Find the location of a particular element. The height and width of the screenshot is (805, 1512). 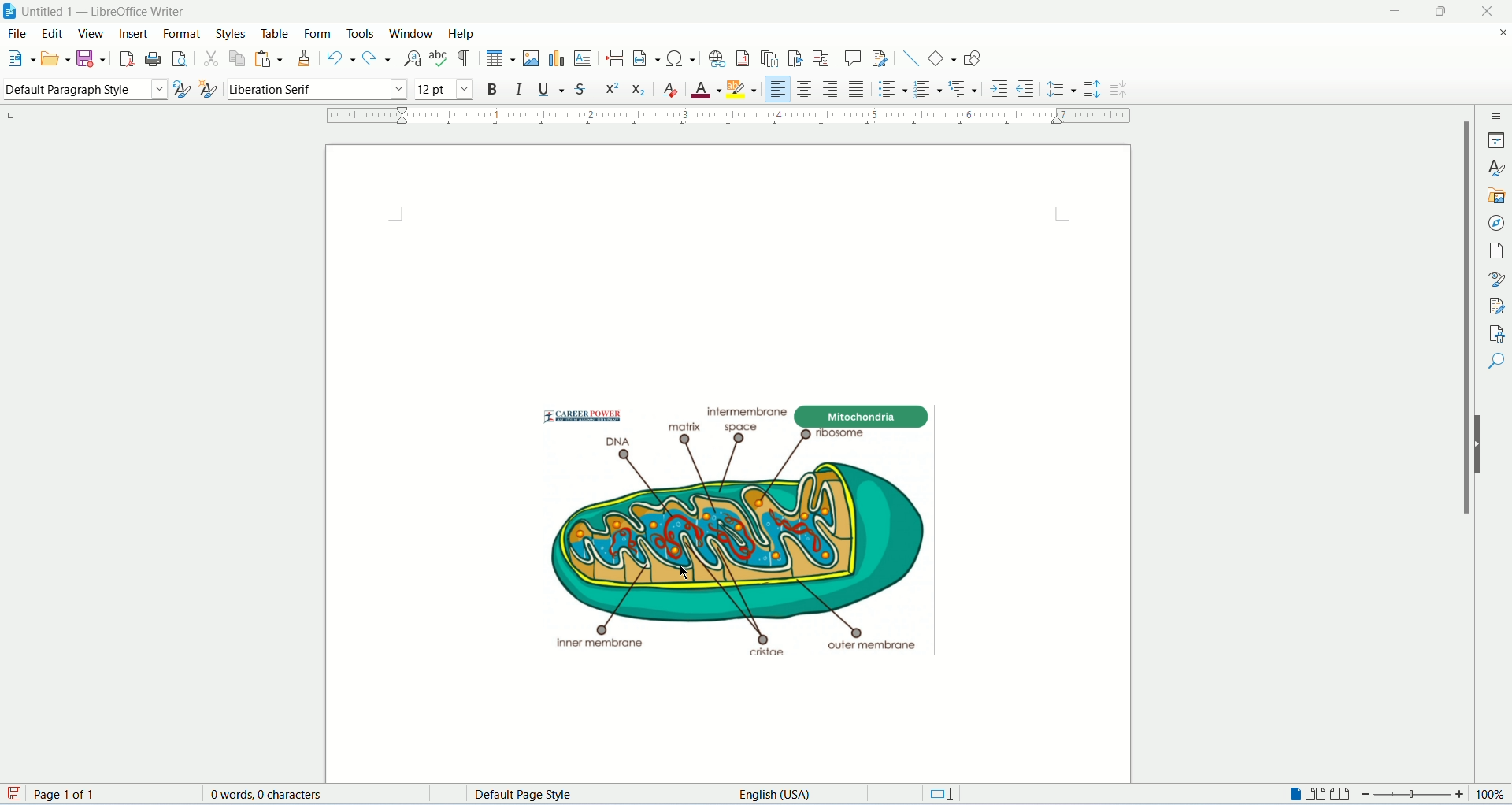

new style is located at coordinates (209, 88).